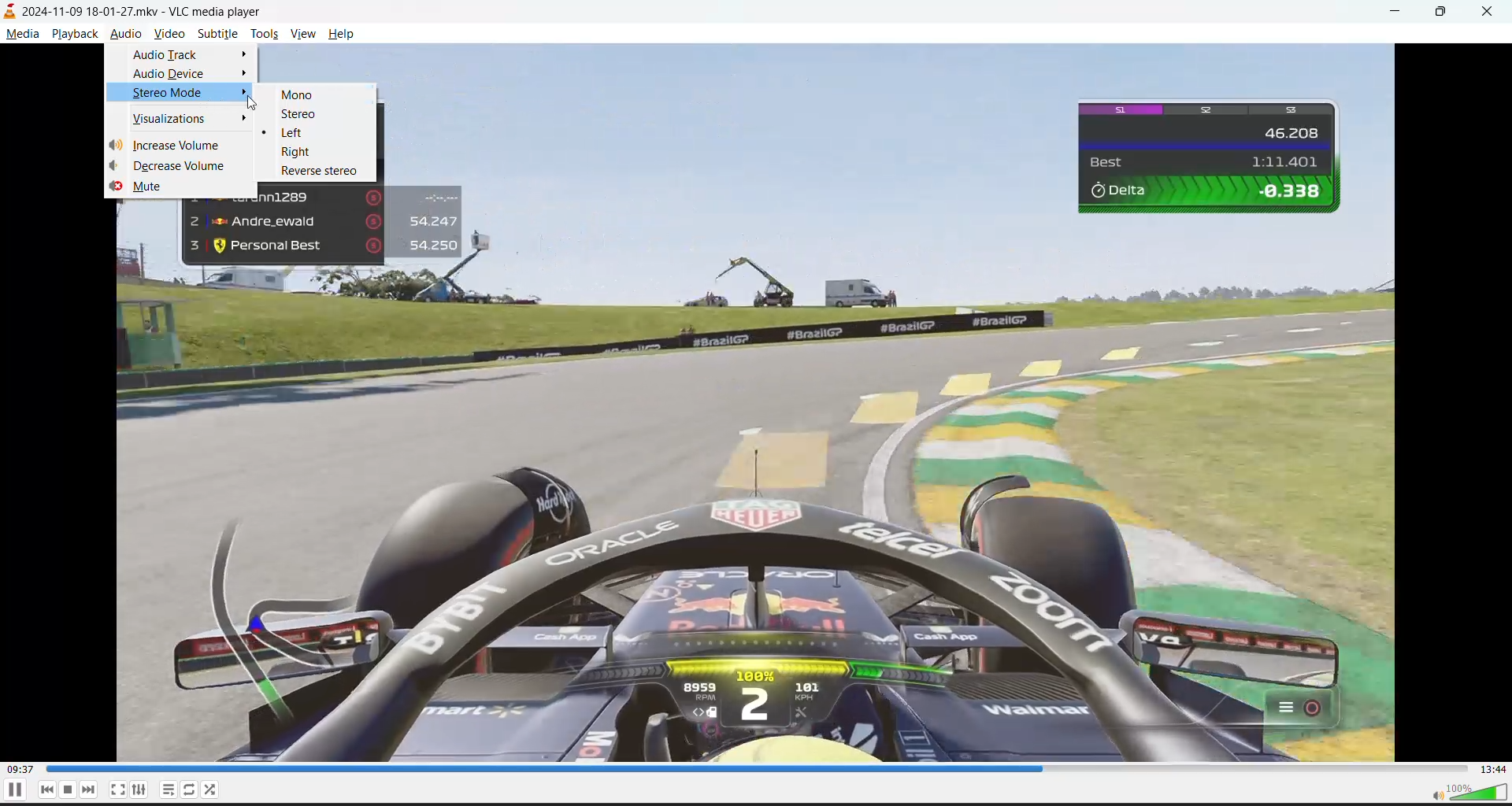  I want to click on playlist, so click(166, 789).